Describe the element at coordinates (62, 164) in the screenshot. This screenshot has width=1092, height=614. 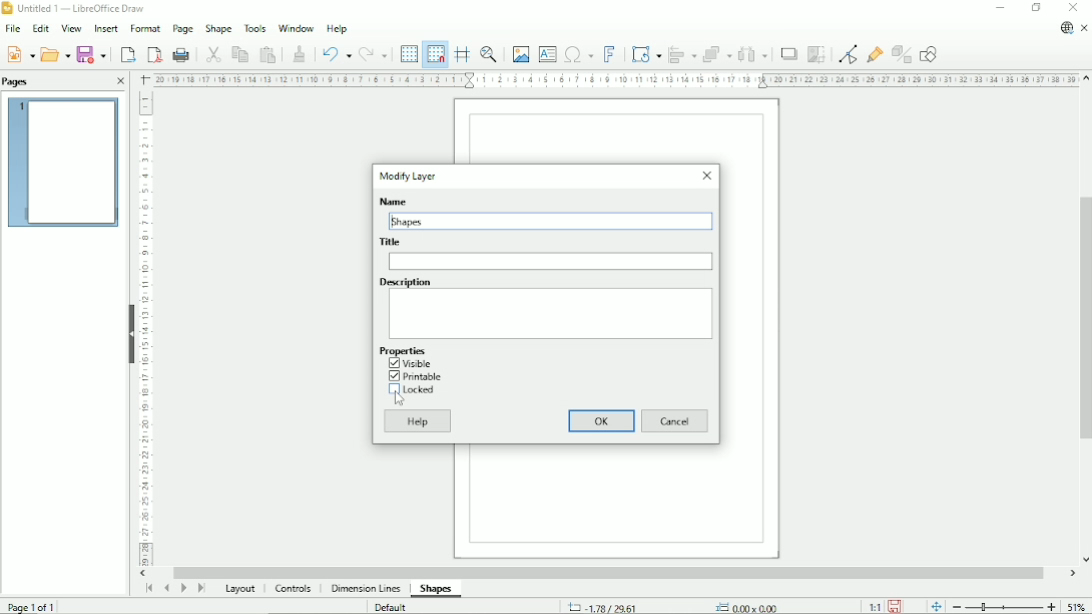
I see `Preview` at that location.